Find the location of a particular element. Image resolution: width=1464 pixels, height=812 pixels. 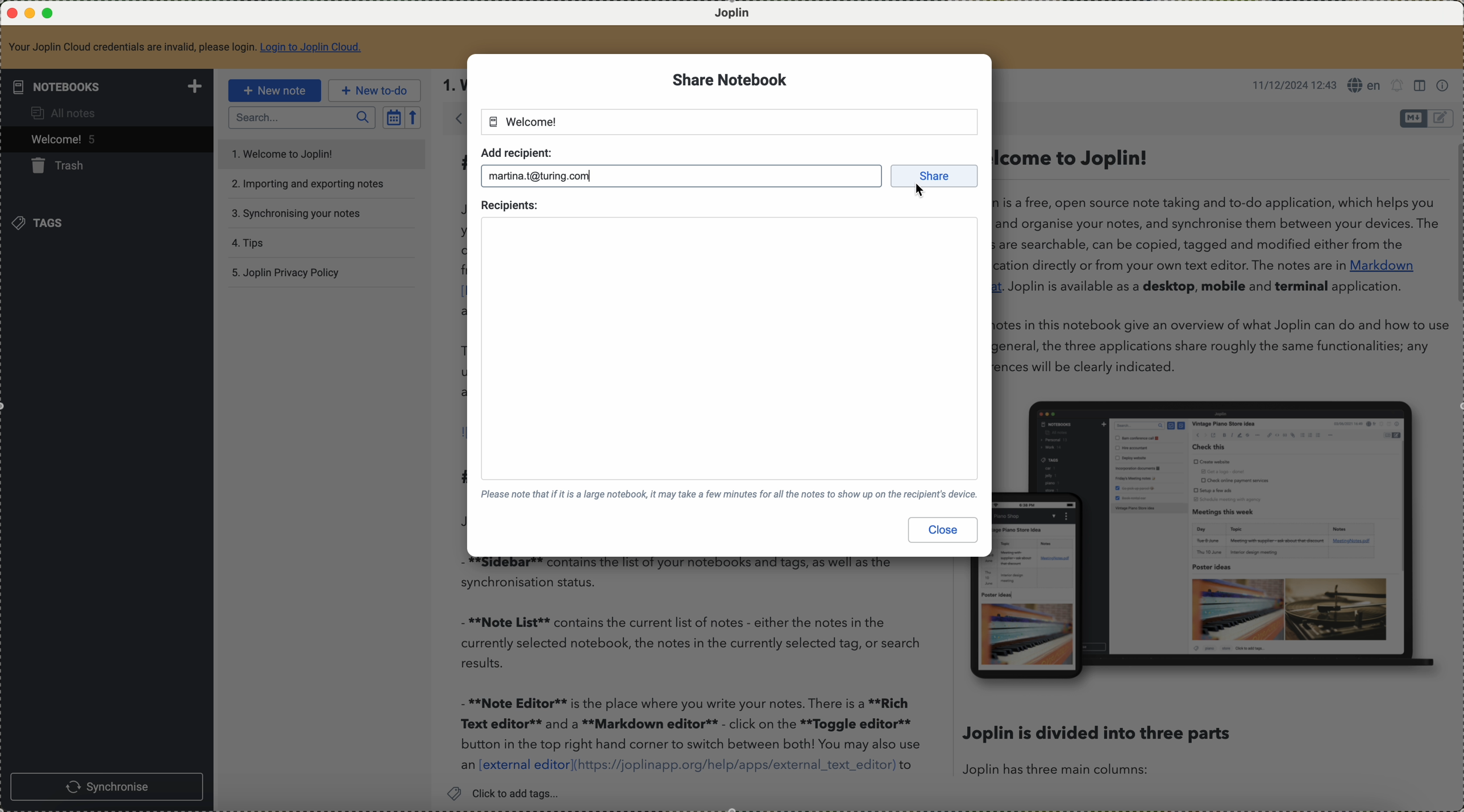

new note is located at coordinates (278, 90).